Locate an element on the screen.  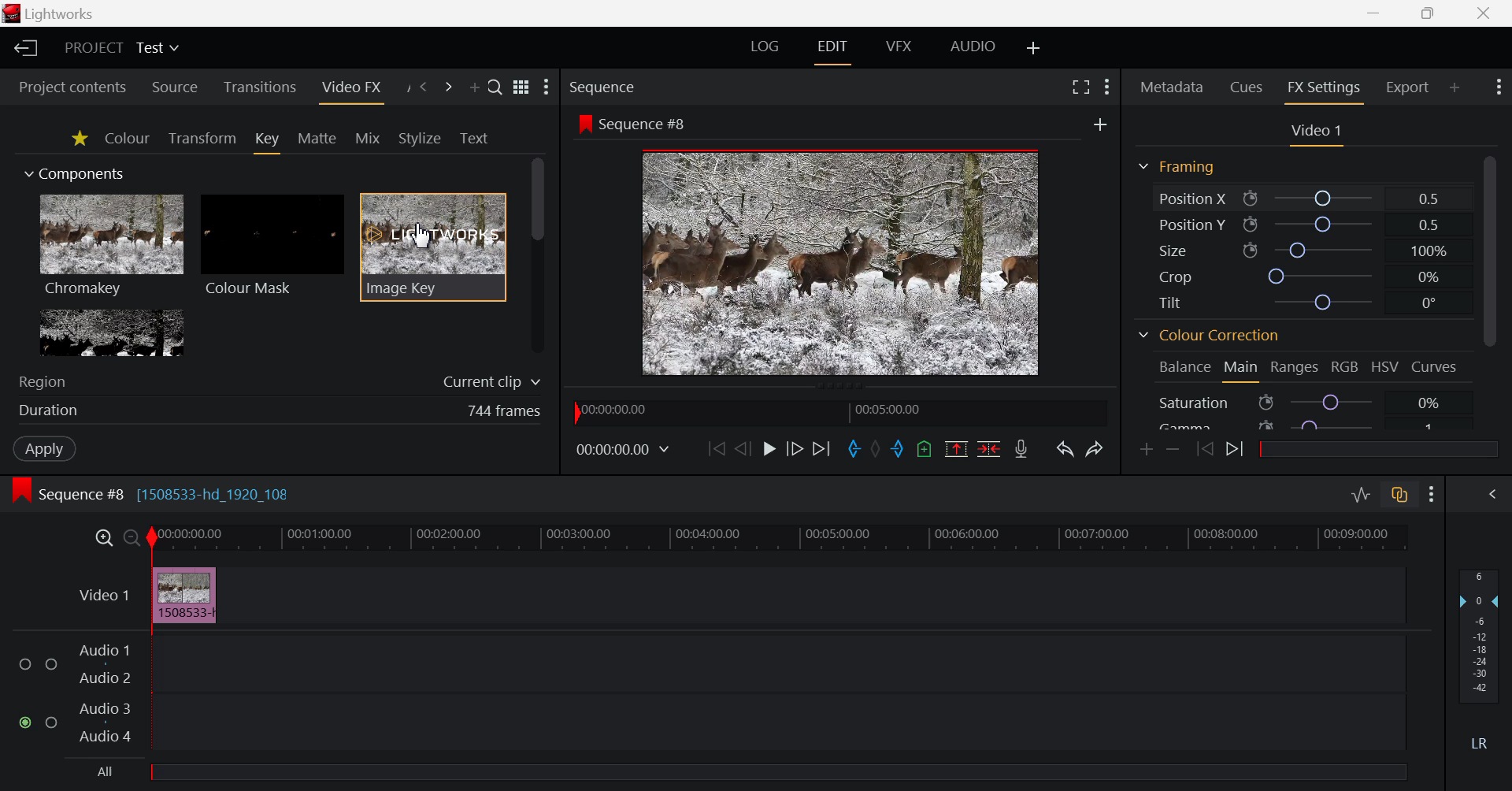
Play is located at coordinates (771, 450).